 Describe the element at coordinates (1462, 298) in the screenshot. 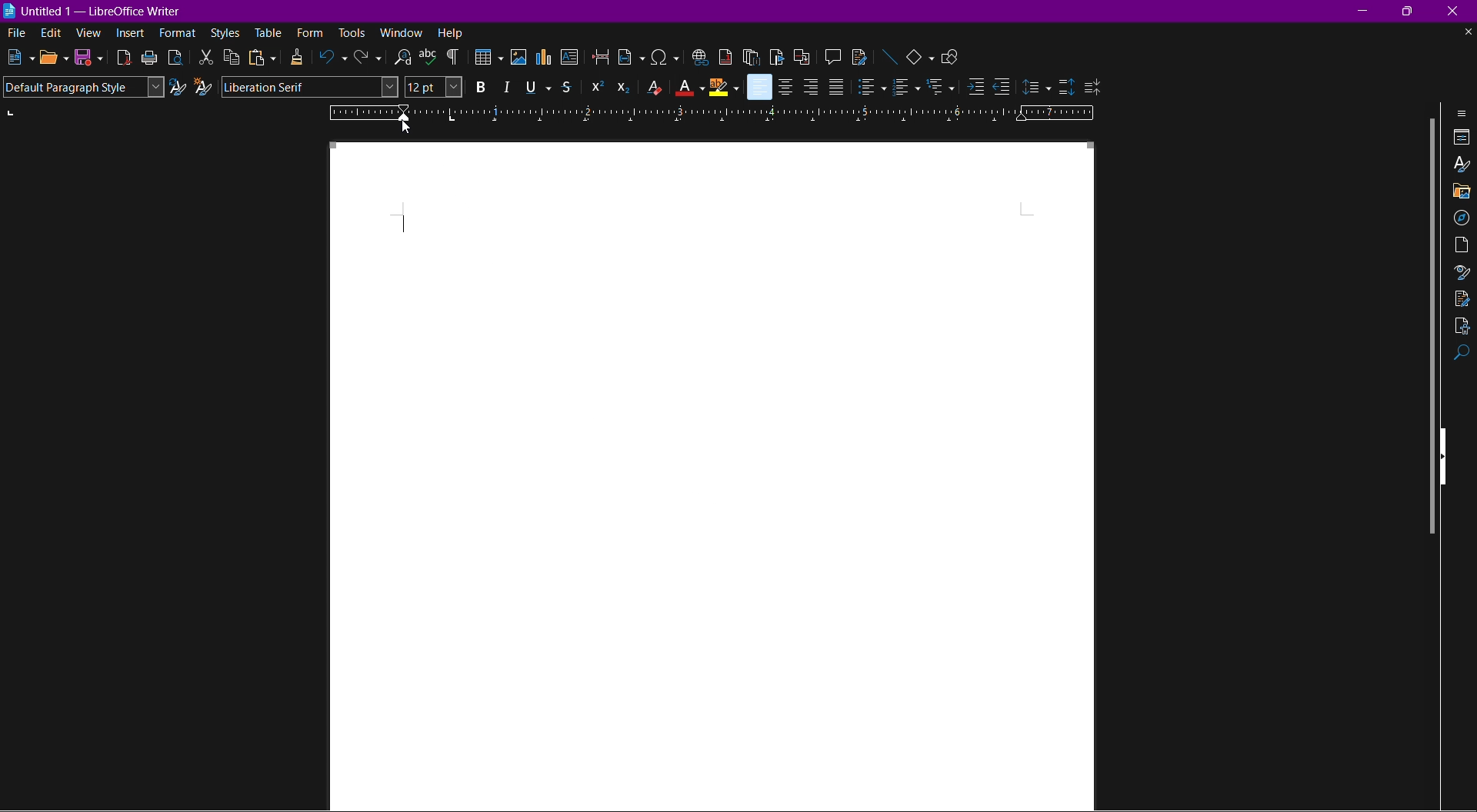

I see `Manage Changes` at that location.